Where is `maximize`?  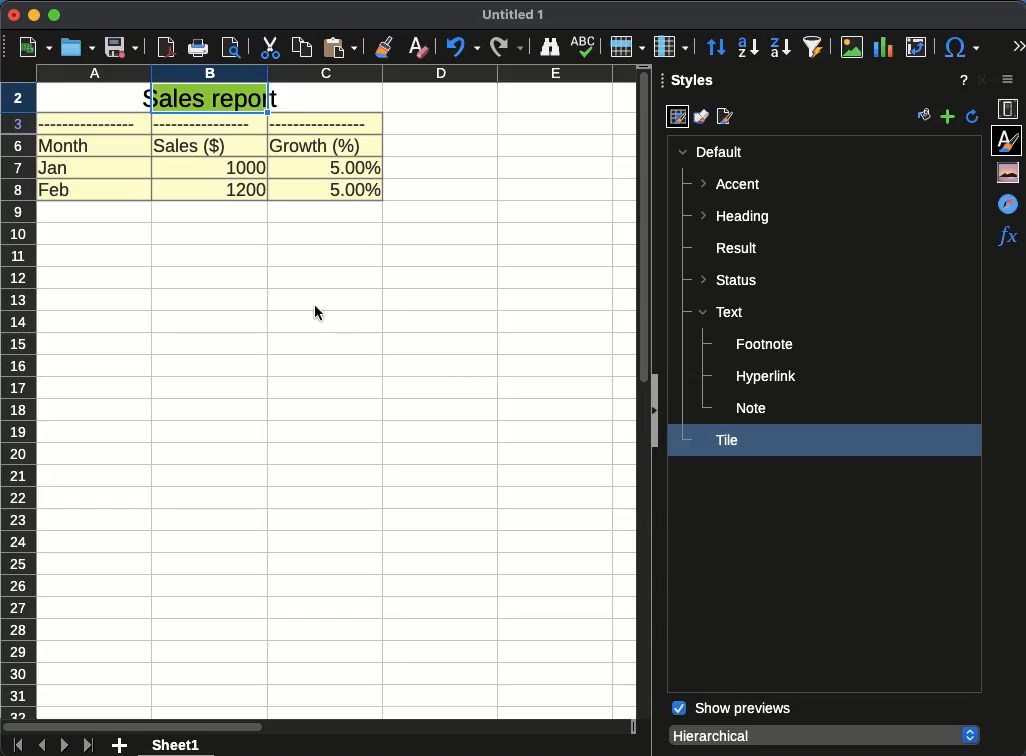 maximize is located at coordinates (56, 16).